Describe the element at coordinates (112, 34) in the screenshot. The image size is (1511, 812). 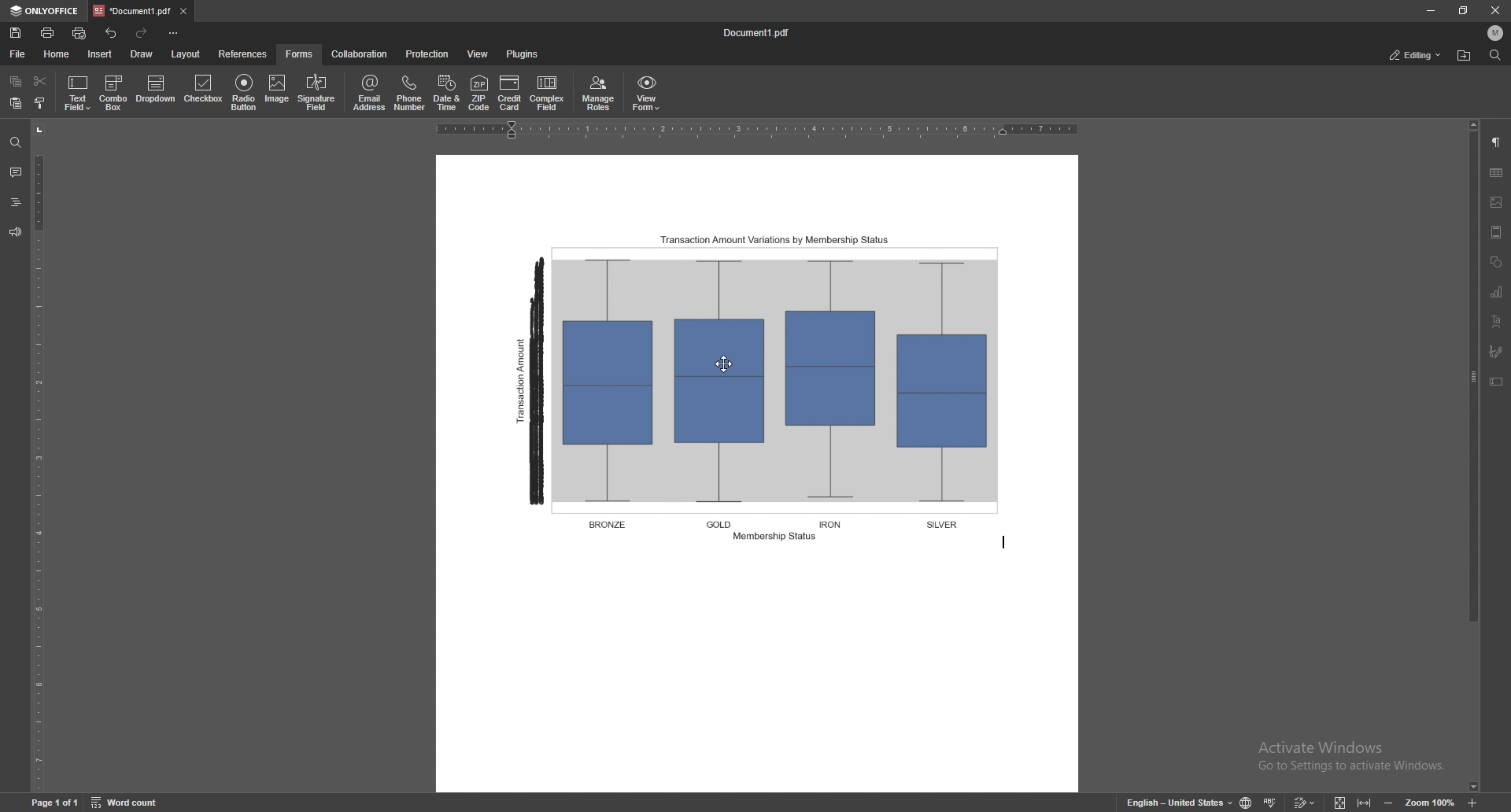
I see `undo` at that location.